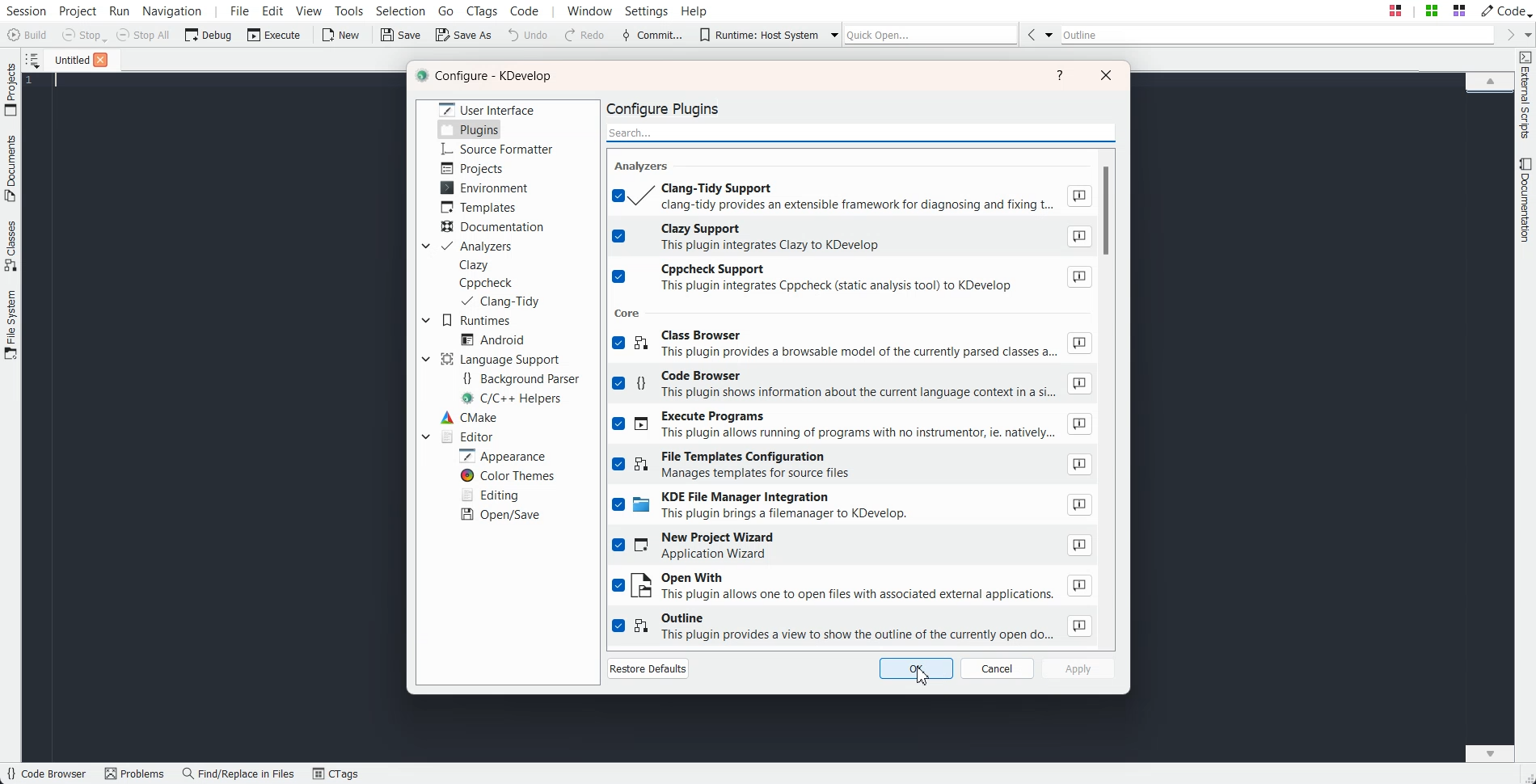 The height and width of the screenshot is (784, 1536). Describe the element at coordinates (853, 508) in the screenshot. I see `Enable KDE File Manager Integration` at that location.